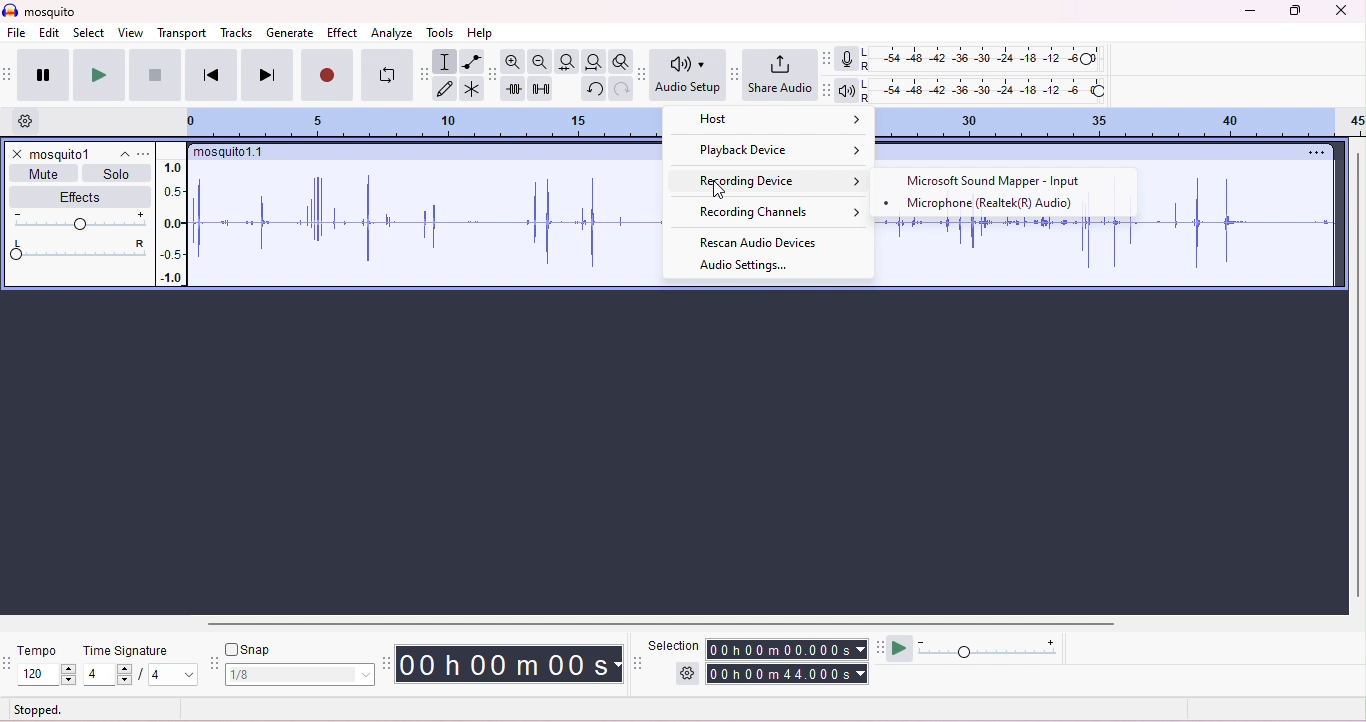 The image size is (1366, 722). Describe the element at coordinates (301, 675) in the screenshot. I see `select snap` at that location.